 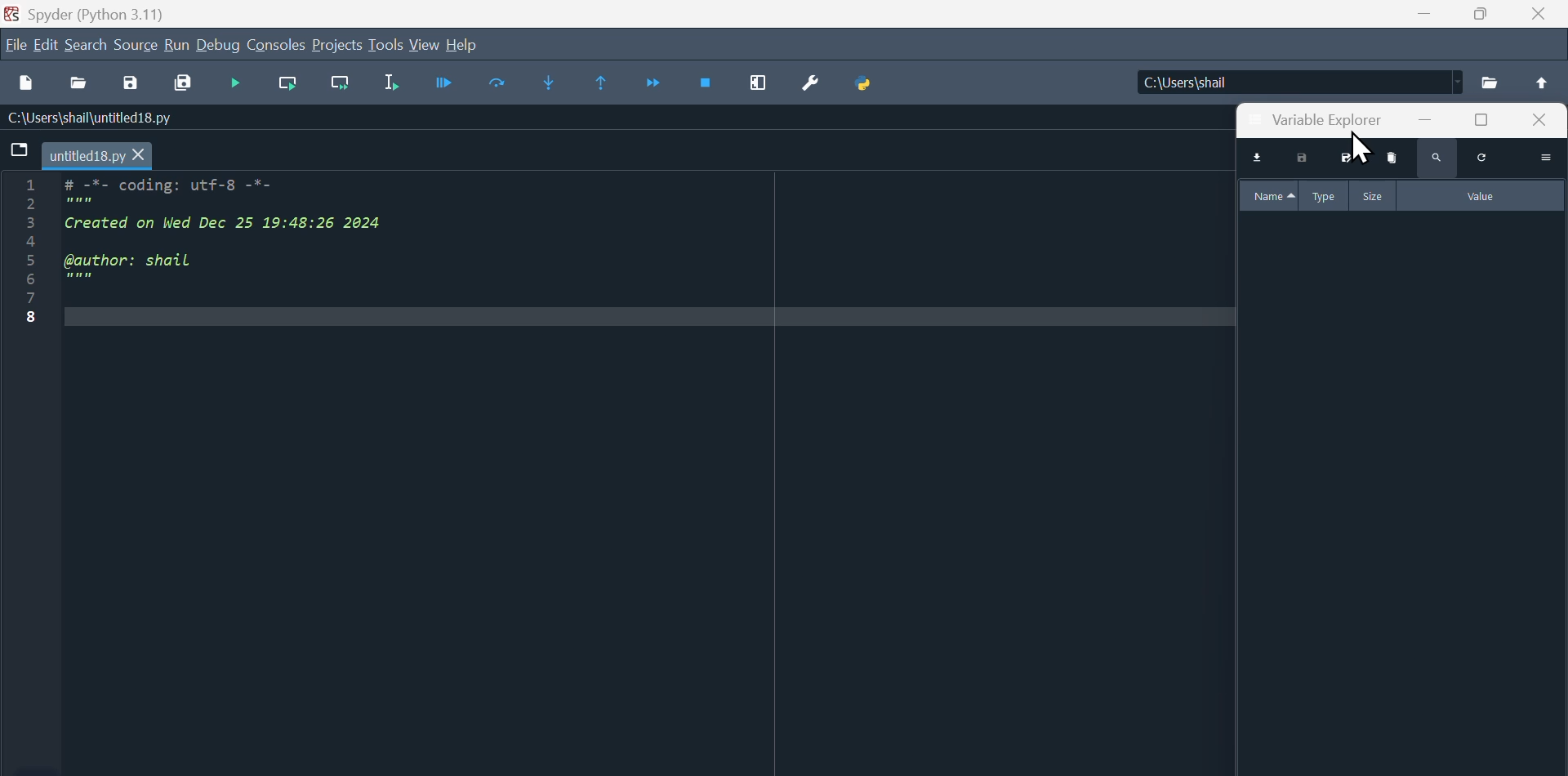 I want to click on COntinue execution until next breakpoint, so click(x=658, y=87).